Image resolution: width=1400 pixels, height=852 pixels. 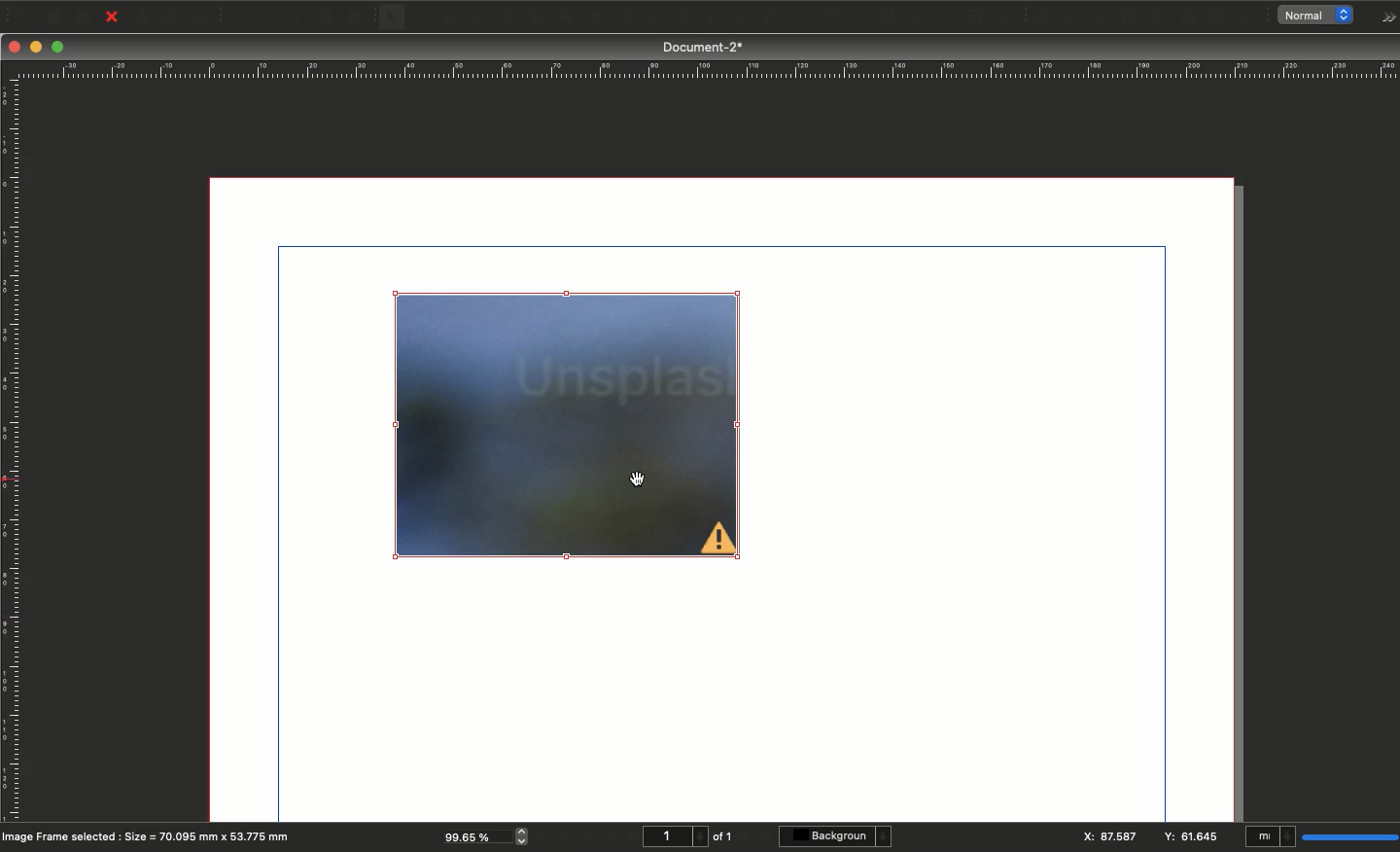 I want to click on of 1, so click(x=723, y=836).